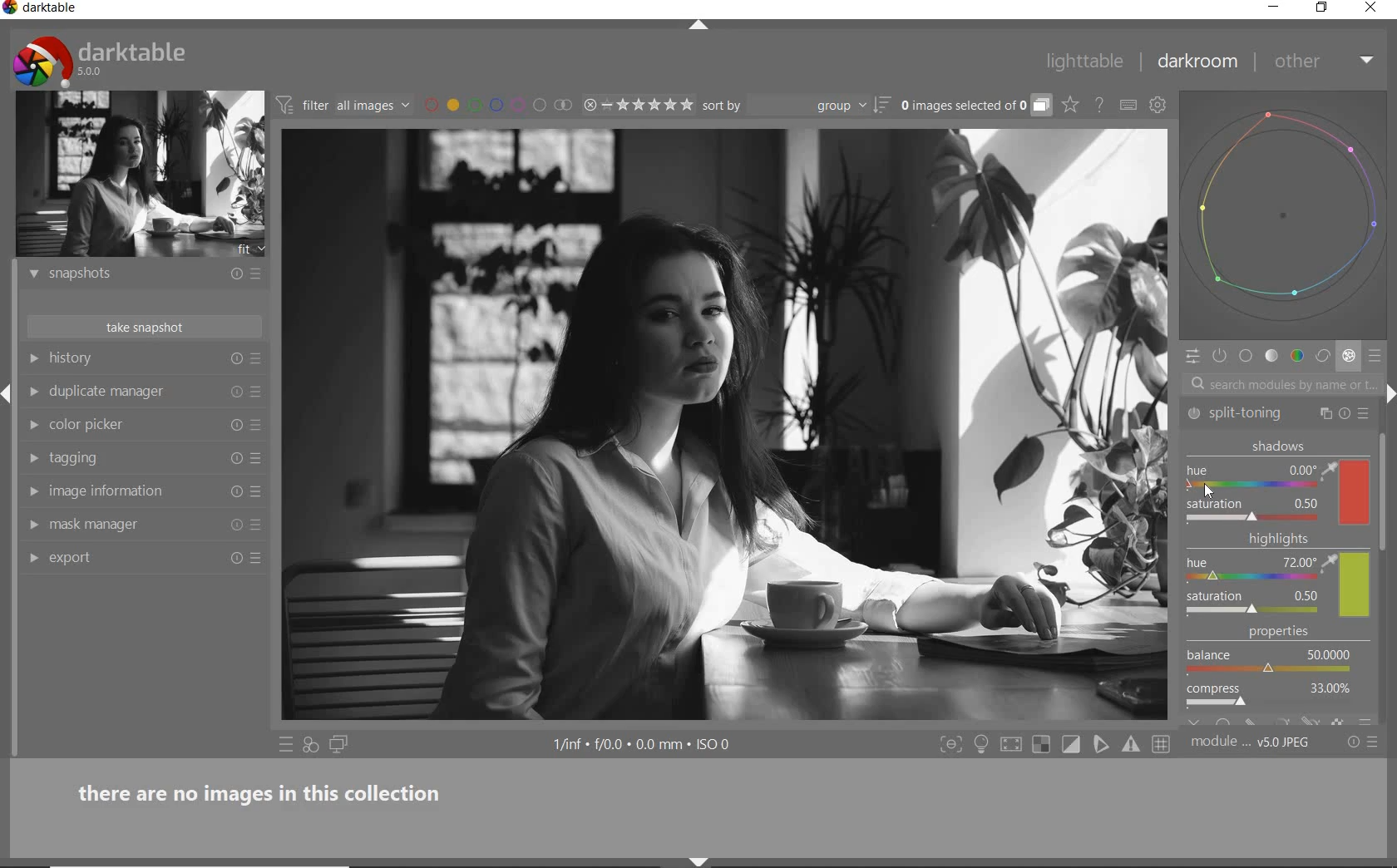 The width and height of the screenshot is (1397, 868). Describe the element at coordinates (37, 426) in the screenshot. I see `show module` at that location.